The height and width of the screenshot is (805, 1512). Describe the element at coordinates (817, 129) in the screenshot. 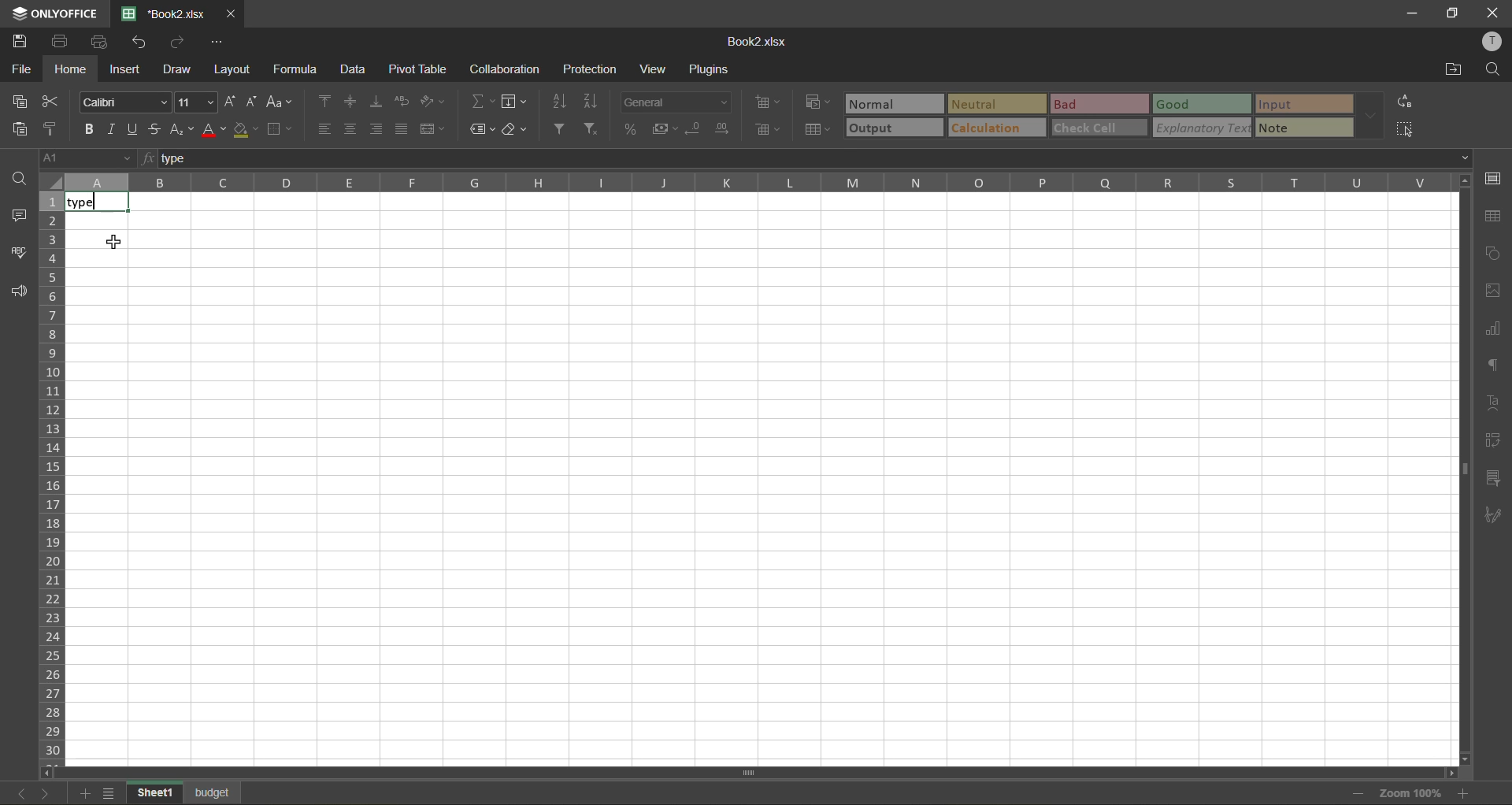

I see `format as table` at that location.